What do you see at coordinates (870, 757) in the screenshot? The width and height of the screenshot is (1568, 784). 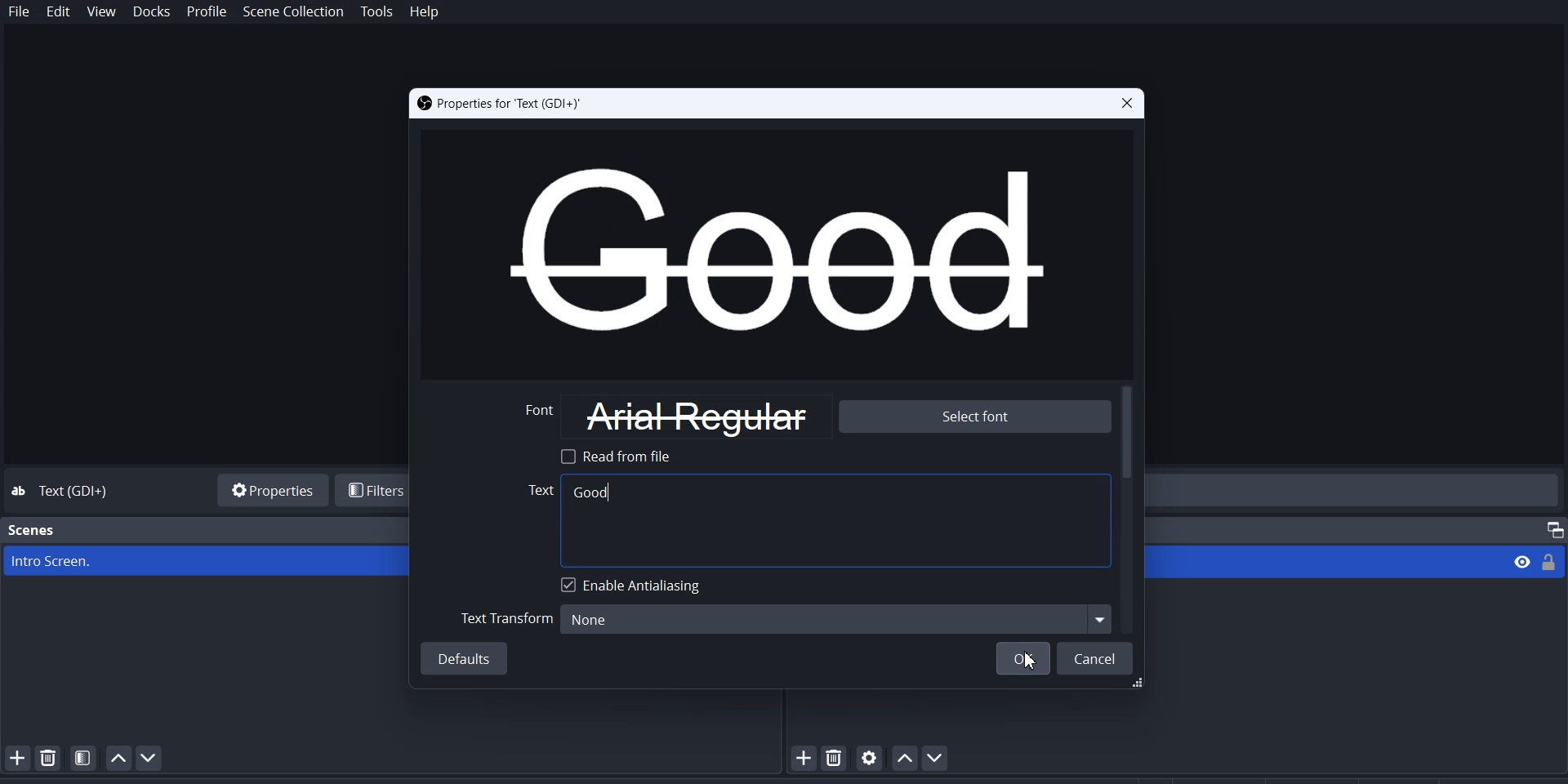 I see `open source properties` at bounding box center [870, 757].